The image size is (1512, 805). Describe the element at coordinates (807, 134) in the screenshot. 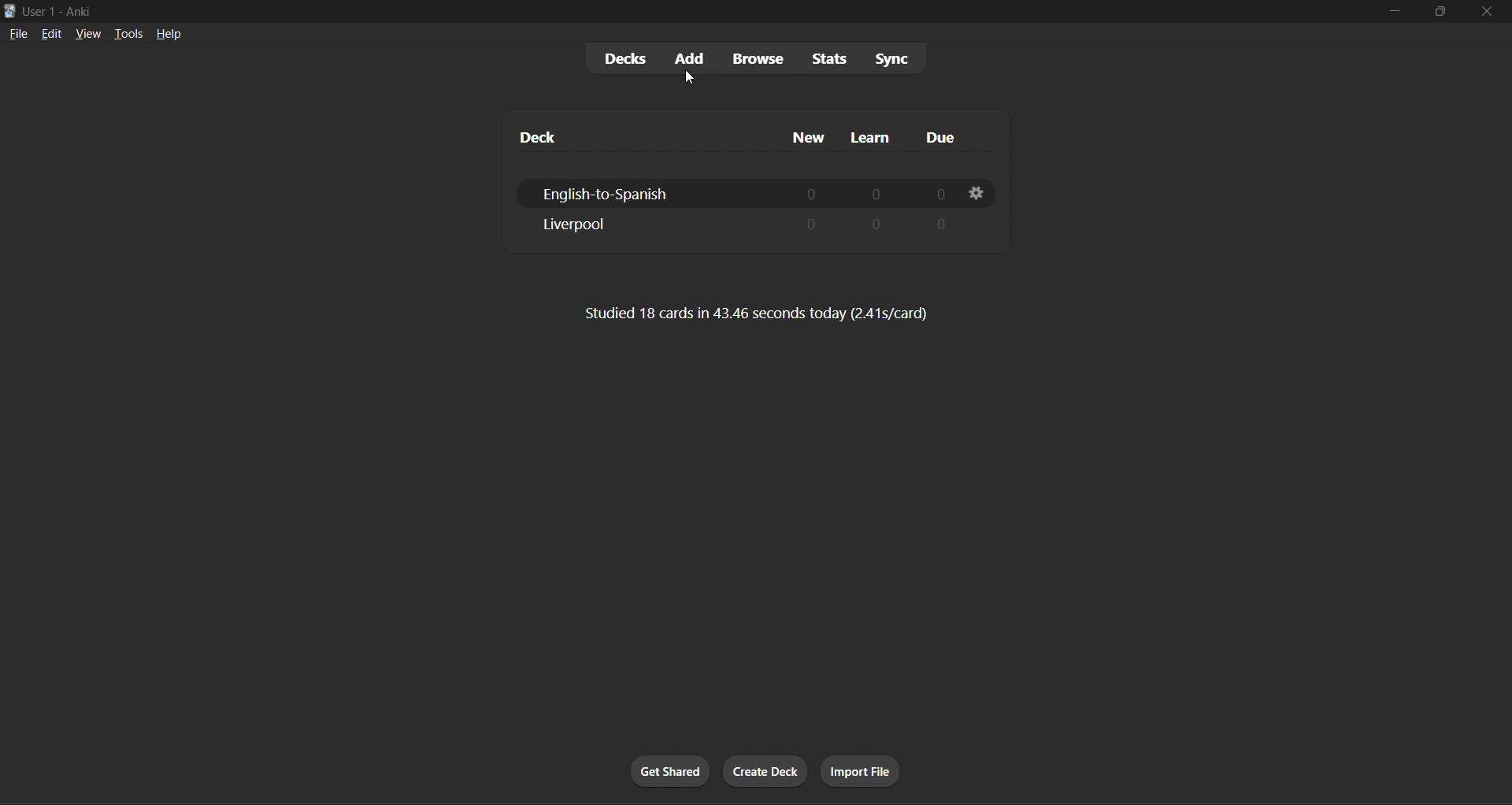

I see `new column` at that location.